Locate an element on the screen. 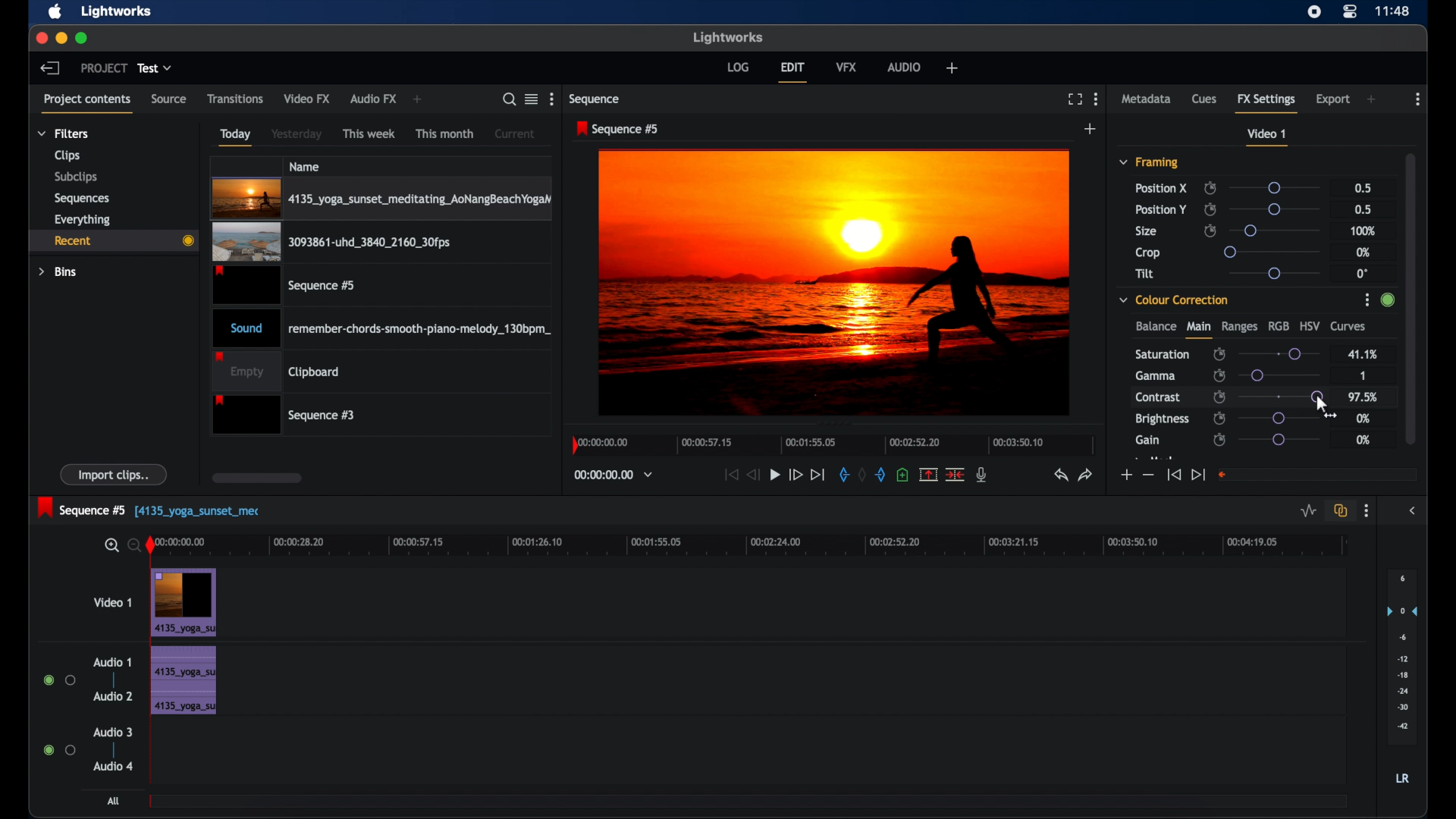 This screenshot has width=1456, height=819. name is located at coordinates (306, 166).